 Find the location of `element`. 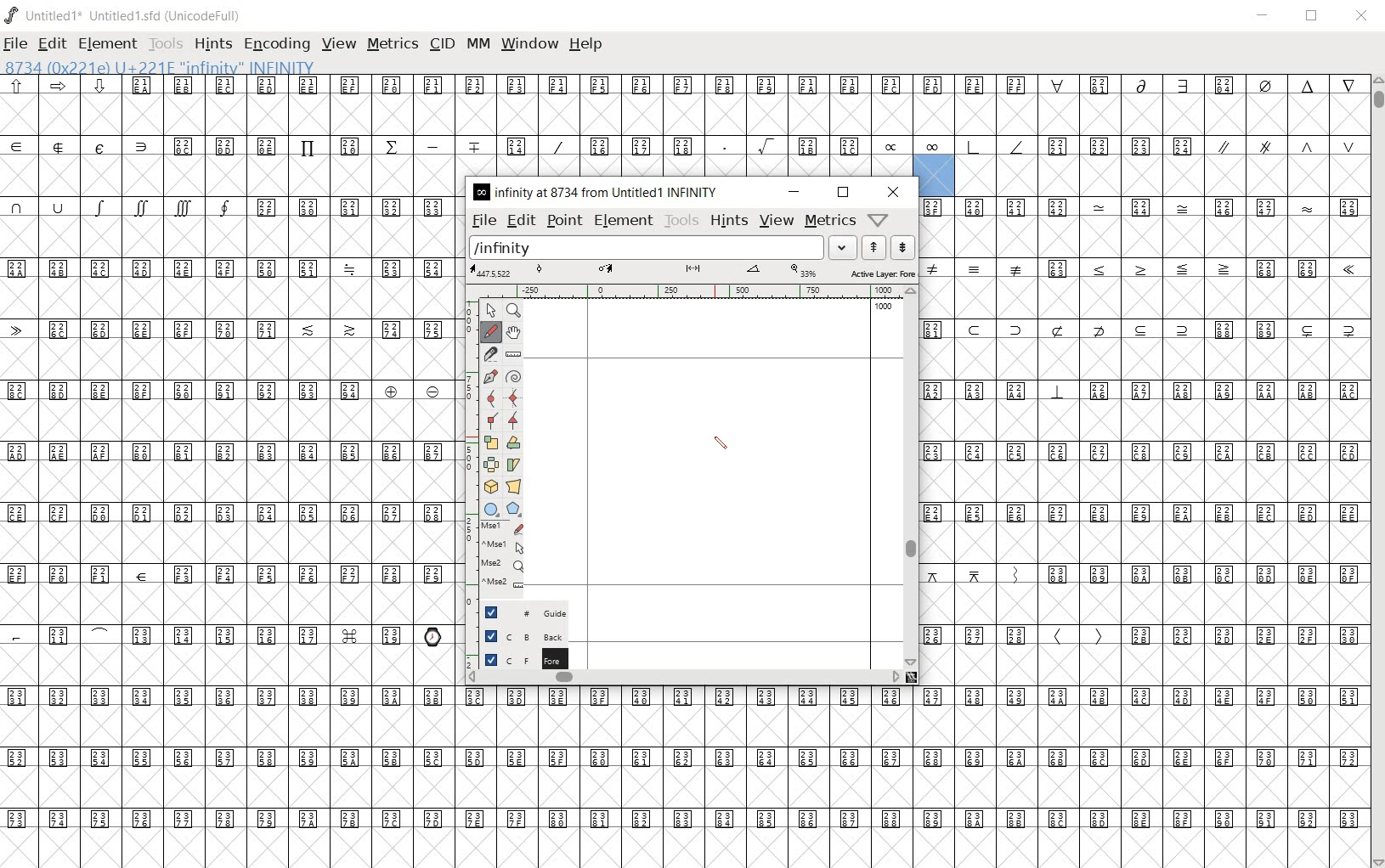

element is located at coordinates (624, 222).